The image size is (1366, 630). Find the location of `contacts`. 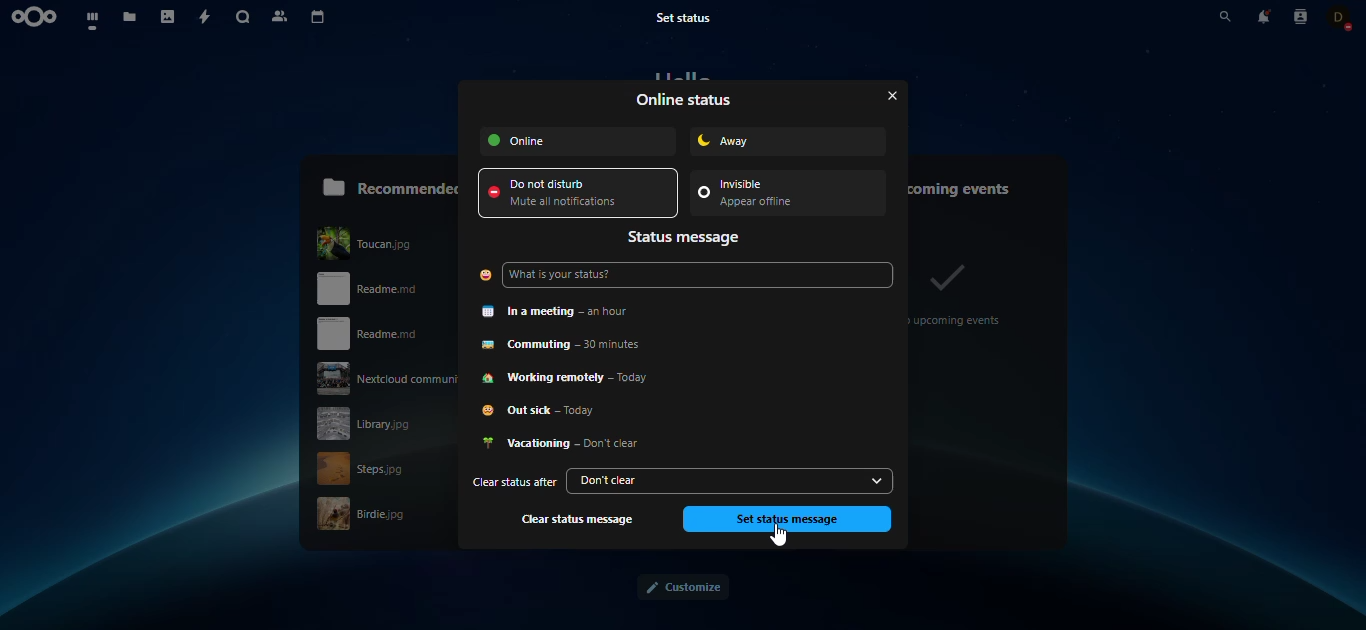

contacts is located at coordinates (280, 17).